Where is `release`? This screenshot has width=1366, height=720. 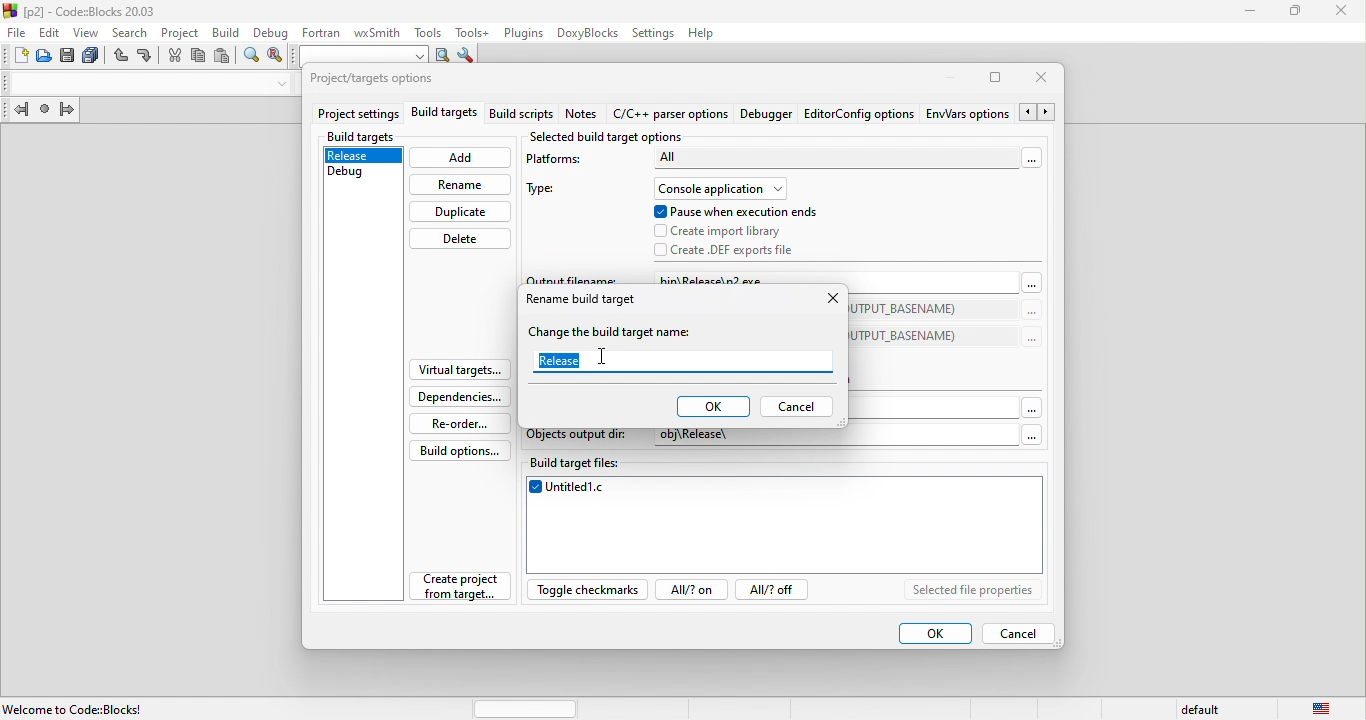
release is located at coordinates (560, 360).